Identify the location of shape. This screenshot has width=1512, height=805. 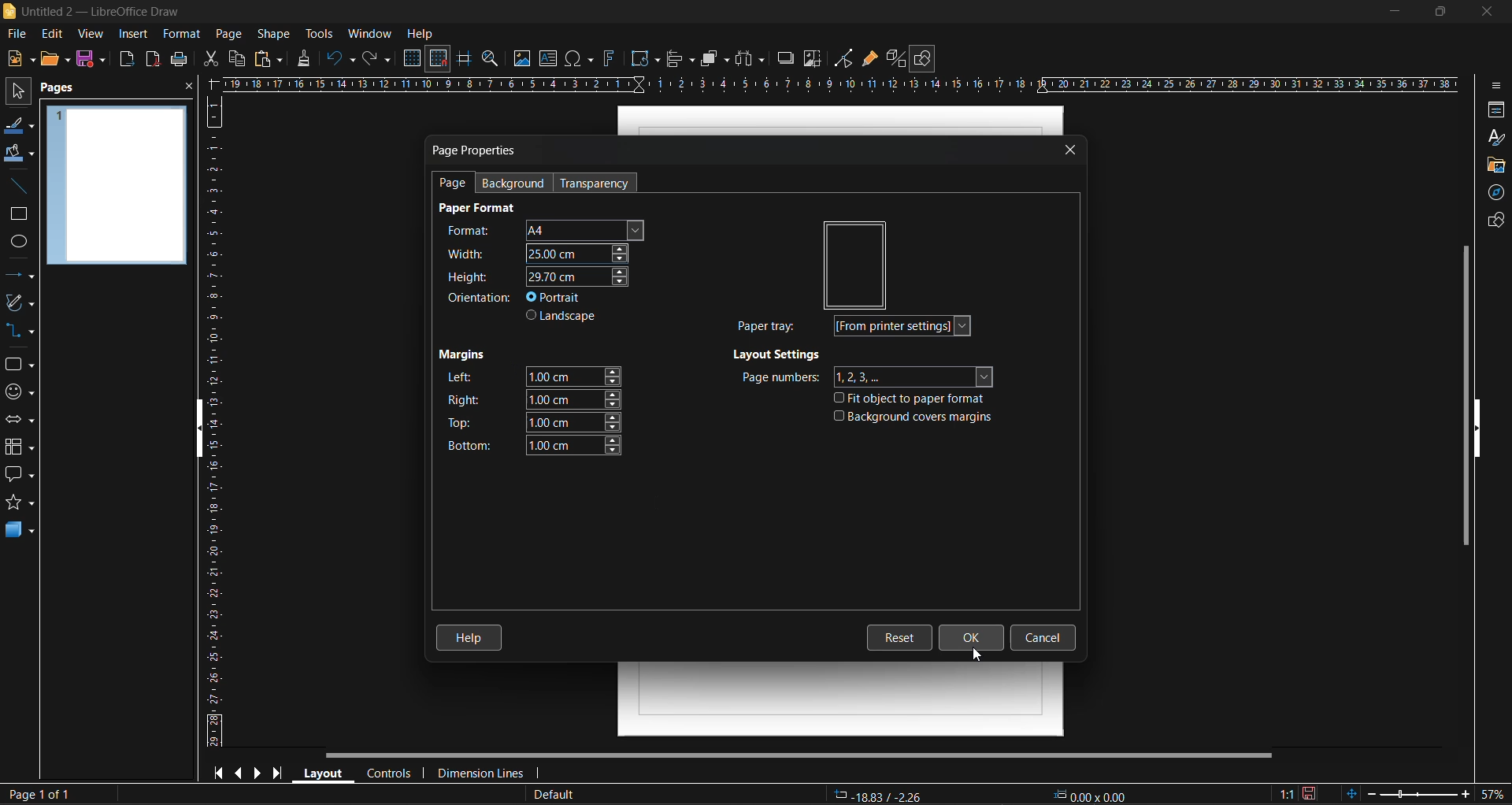
(273, 33).